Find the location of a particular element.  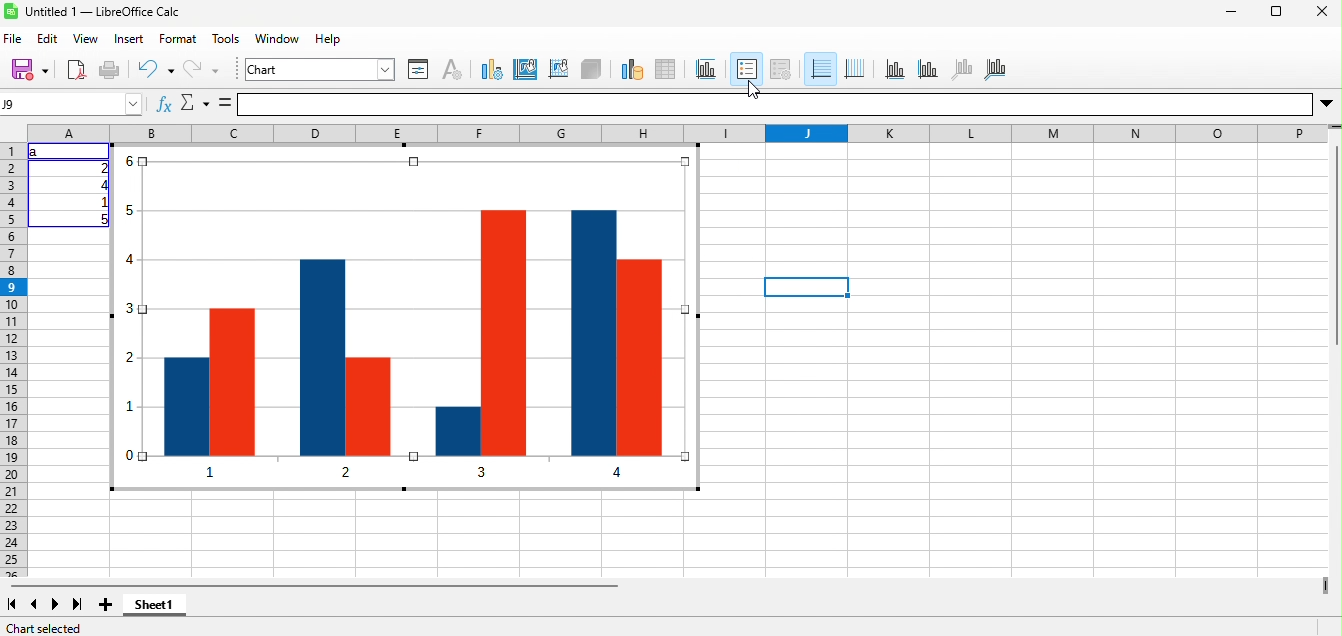

horizontal grids is located at coordinates (821, 70).